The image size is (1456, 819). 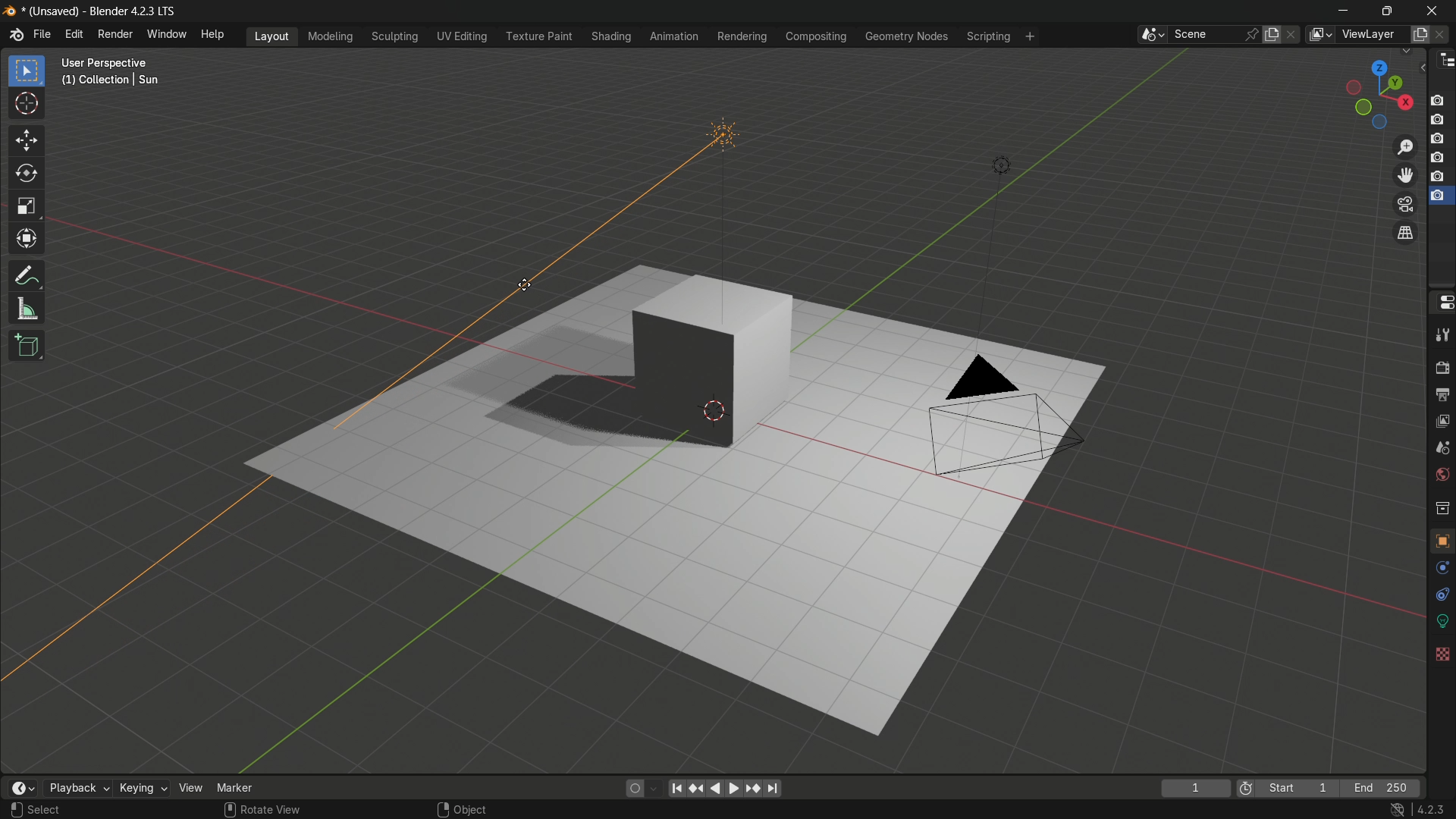 I want to click on geometry nodes, so click(x=909, y=36).